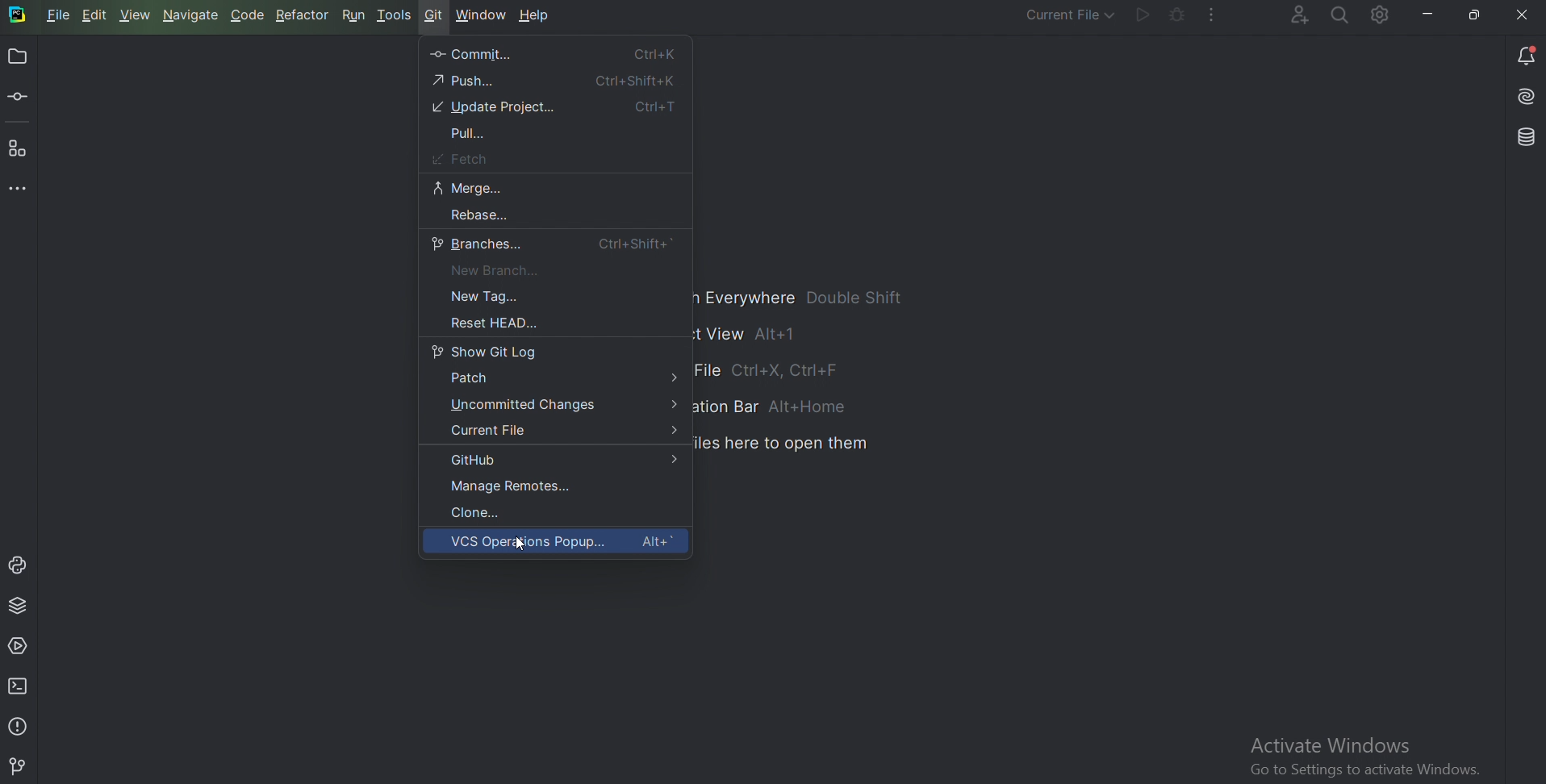 The image size is (1546, 784). Describe the element at coordinates (520, 486) in the screenshot. I see `Manage Remotes` at that location.